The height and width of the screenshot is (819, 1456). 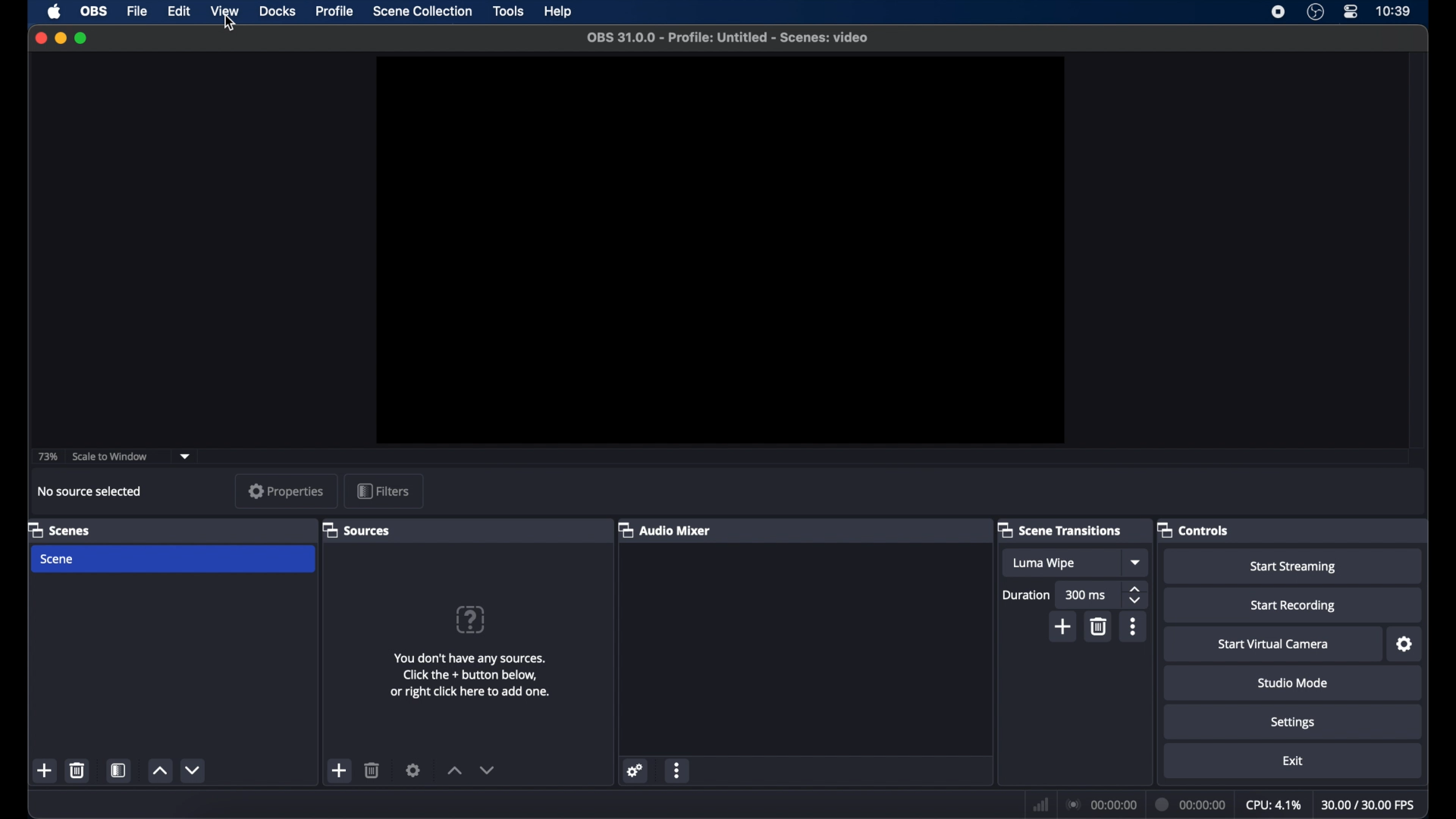 I want to click on question mark icon, so click(x=472, y=620).